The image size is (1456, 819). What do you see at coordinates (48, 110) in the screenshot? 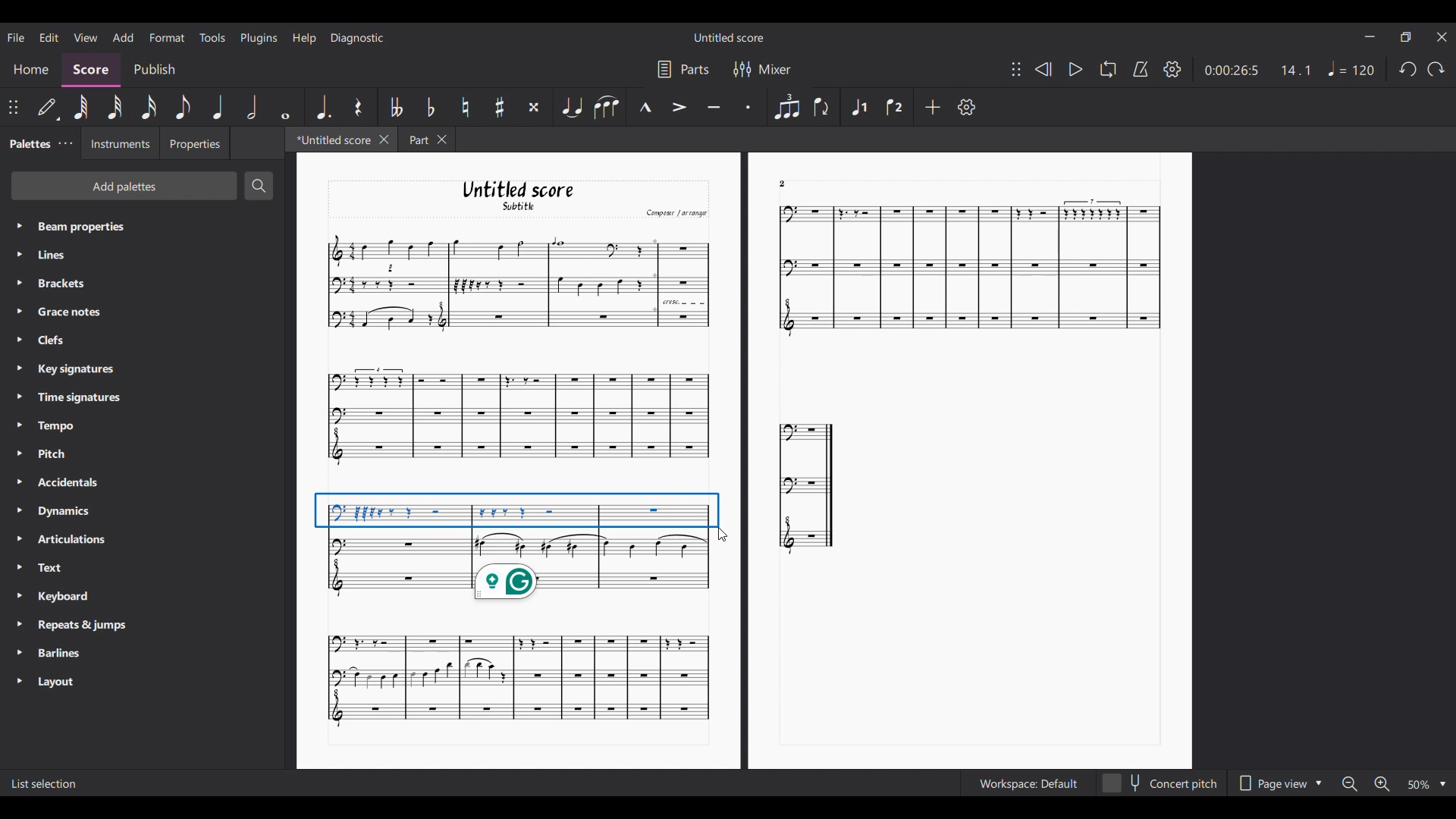
I see `Default` at bounding box center [48, 110].